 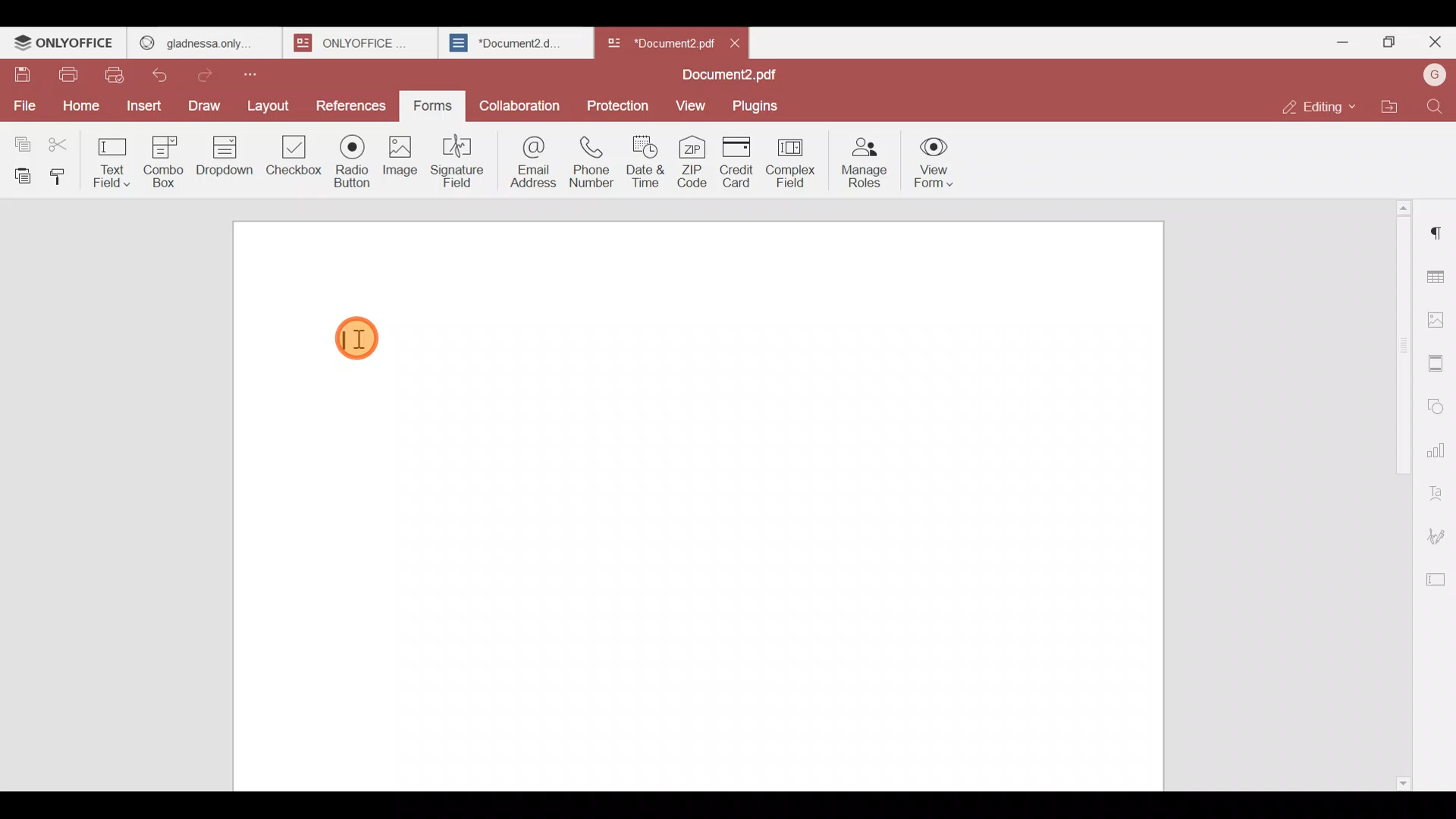 I want to click on Image settings, so click(x=1438, y=315).